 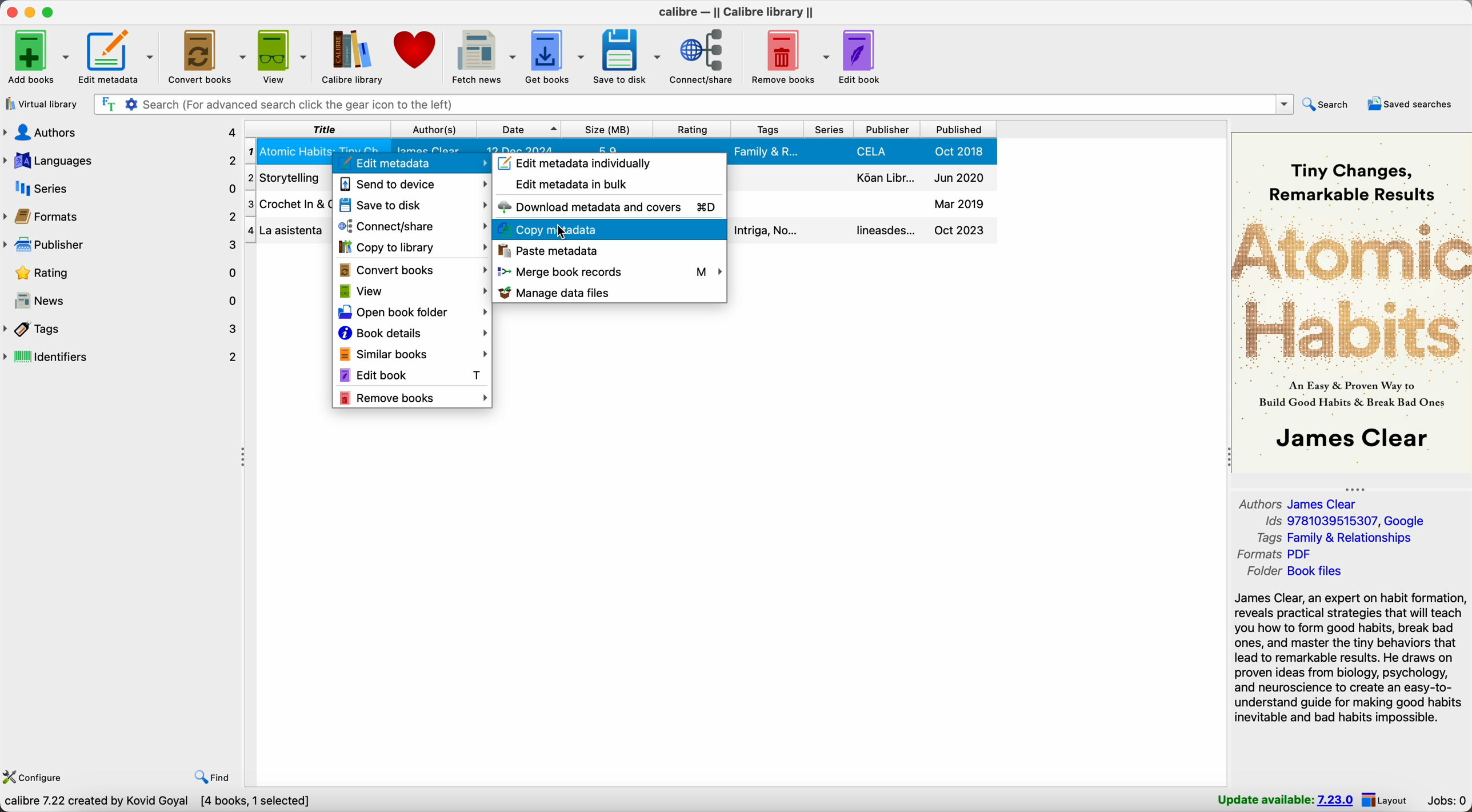 I want to click on fetch news, so click(x=485, y=55).